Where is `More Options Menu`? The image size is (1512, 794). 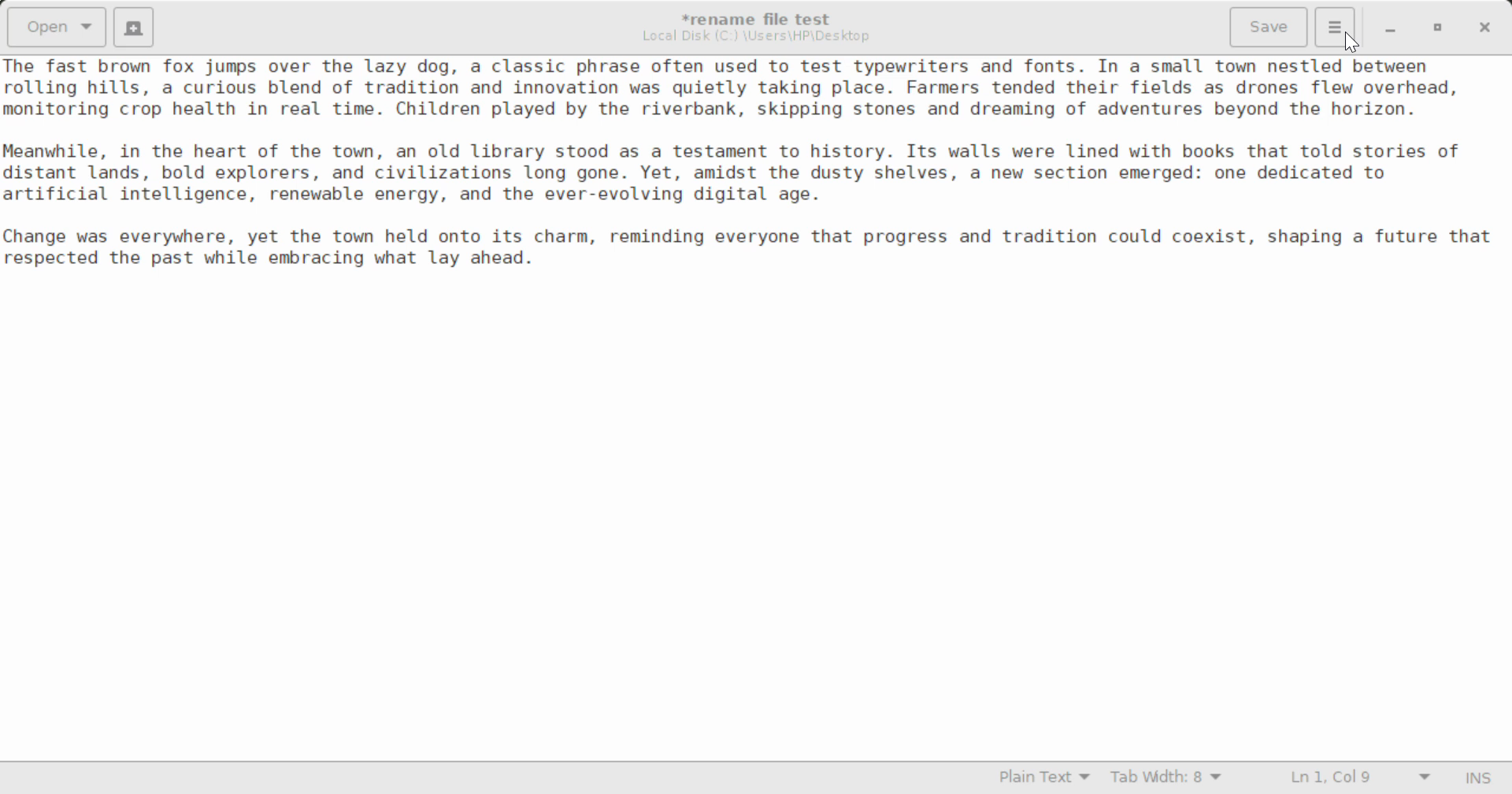 More Options Menu is located at coordinates (1336, 28).